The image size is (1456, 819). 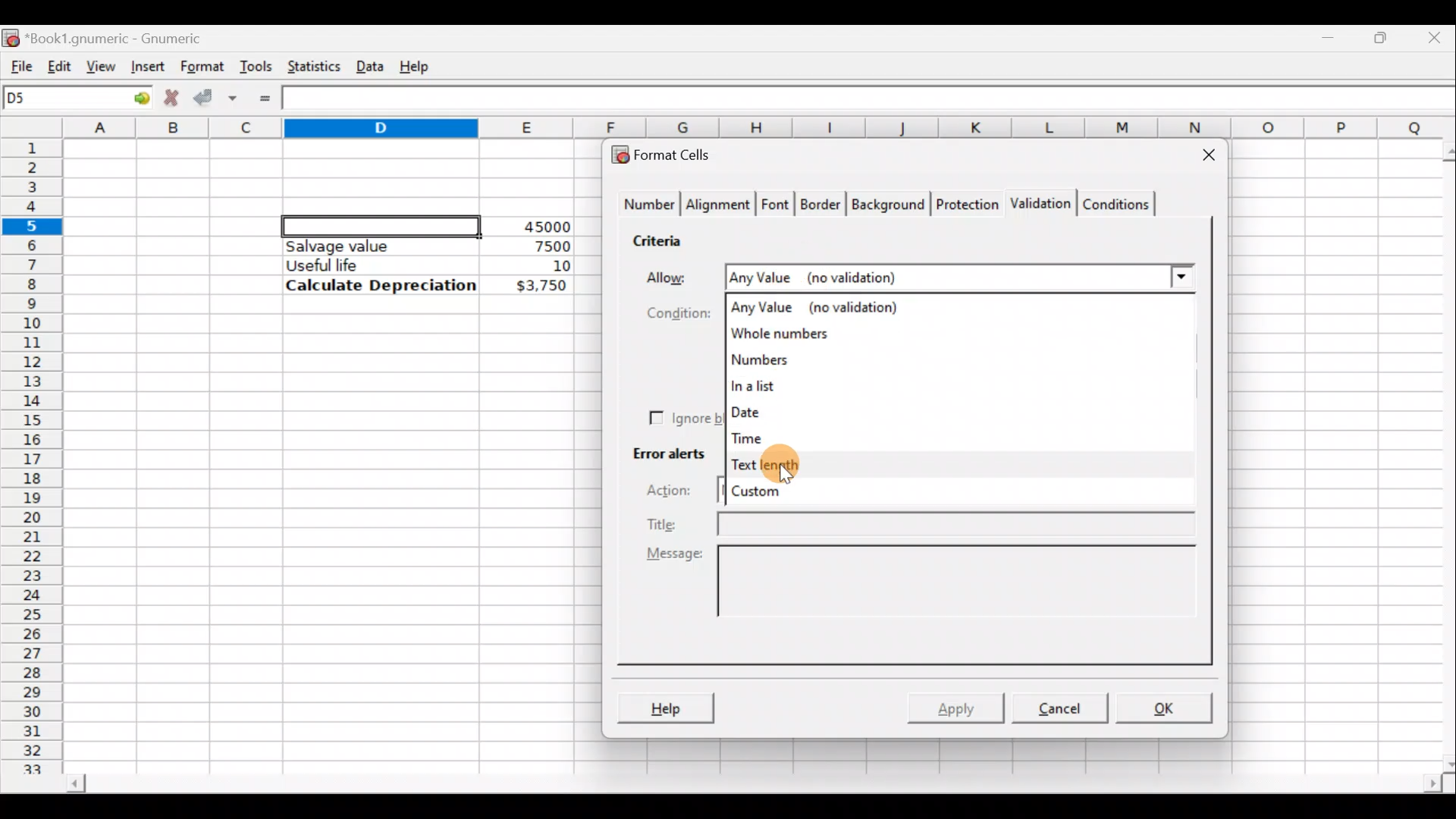 I want to click on Scroll bar, so click(x=1439, y=454).